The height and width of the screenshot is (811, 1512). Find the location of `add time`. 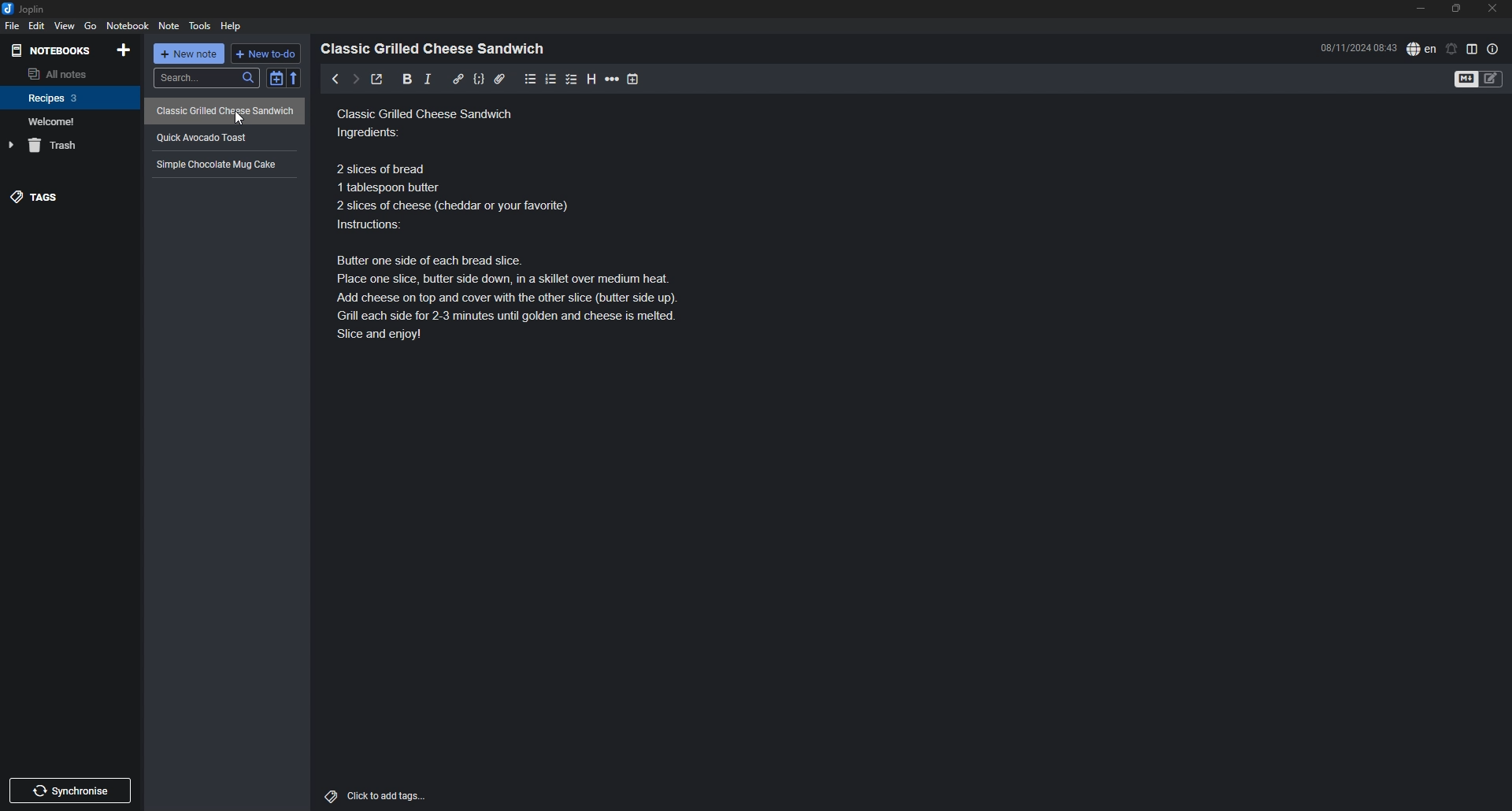

add time is located at coordinates (635, 79).